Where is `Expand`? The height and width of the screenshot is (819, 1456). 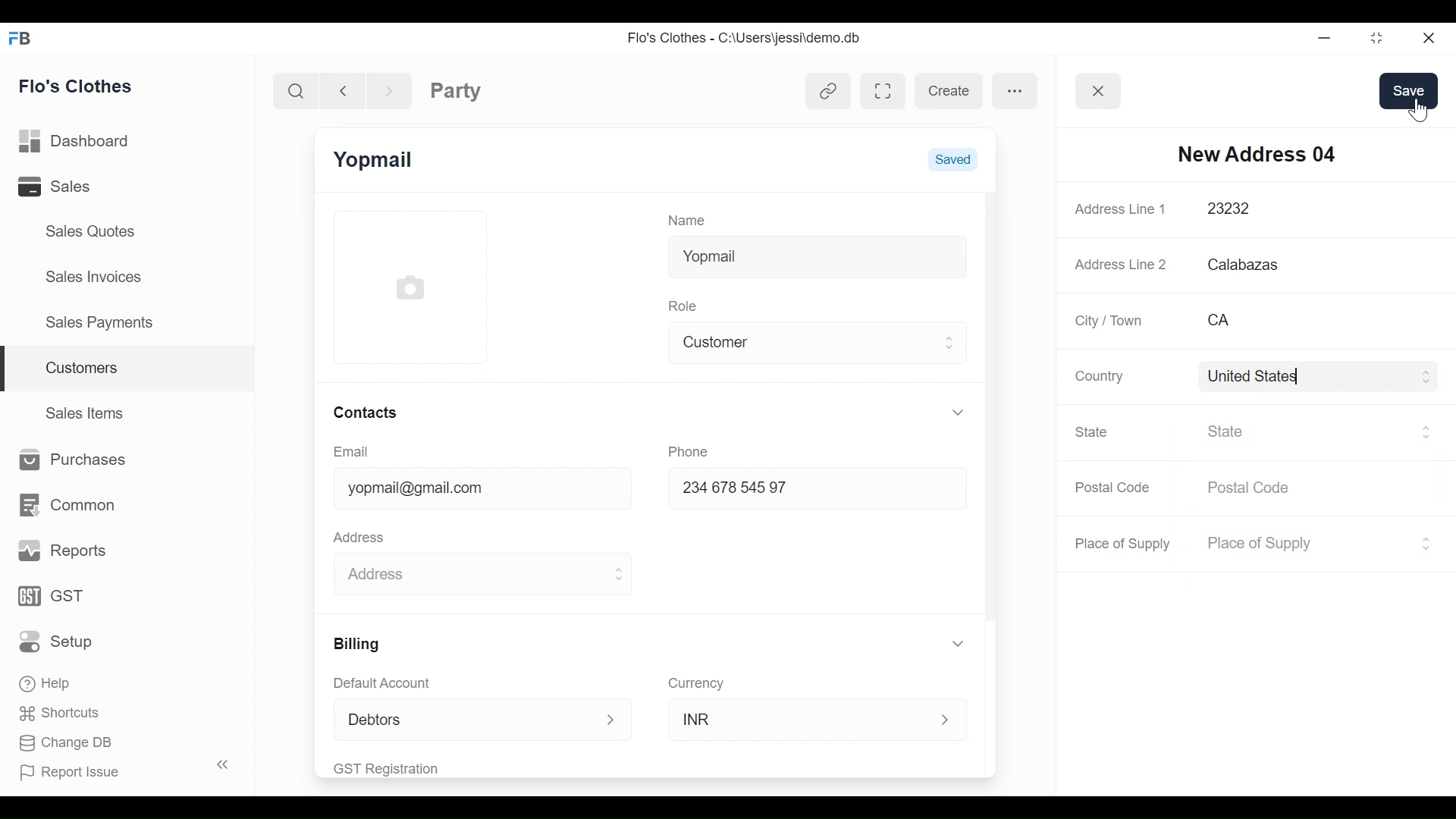 Expand is located at coordinates (961, 644).